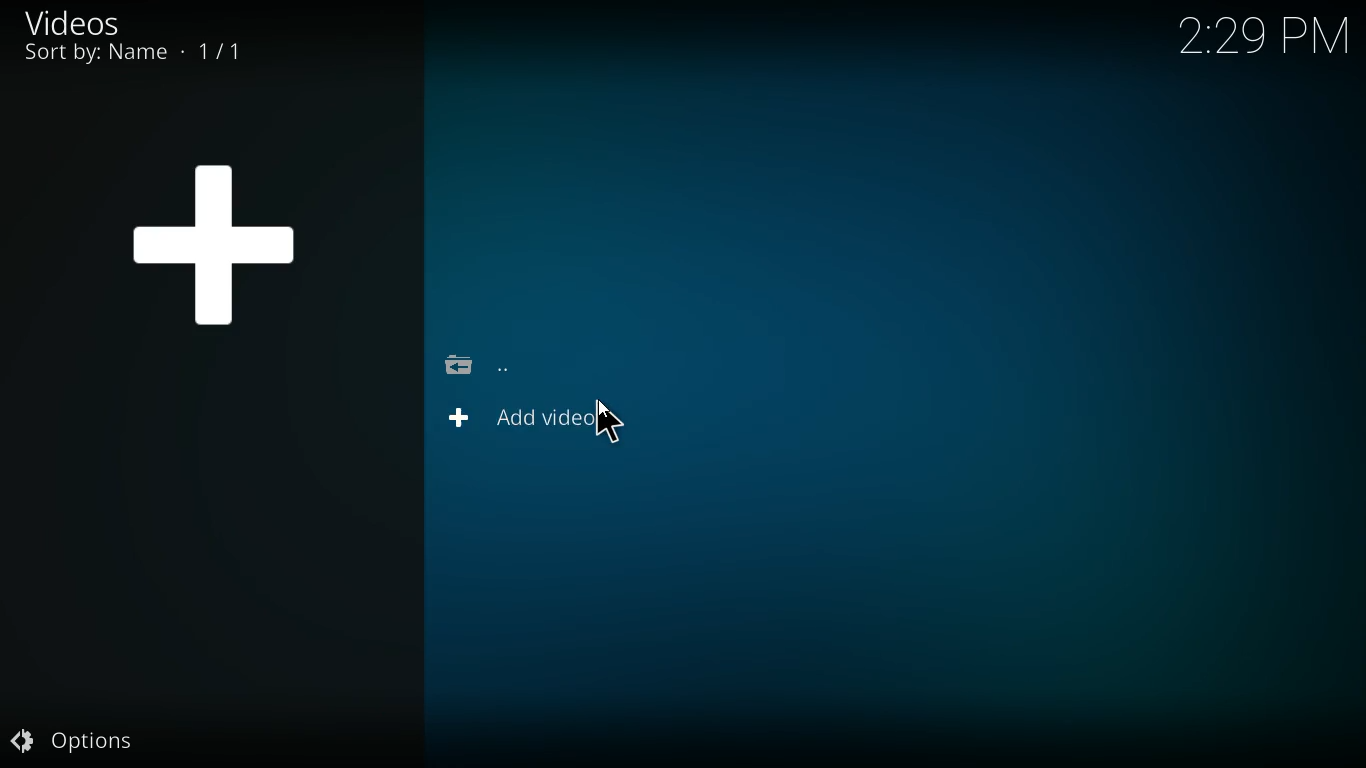  I want to click on add video, so click(546, 423).